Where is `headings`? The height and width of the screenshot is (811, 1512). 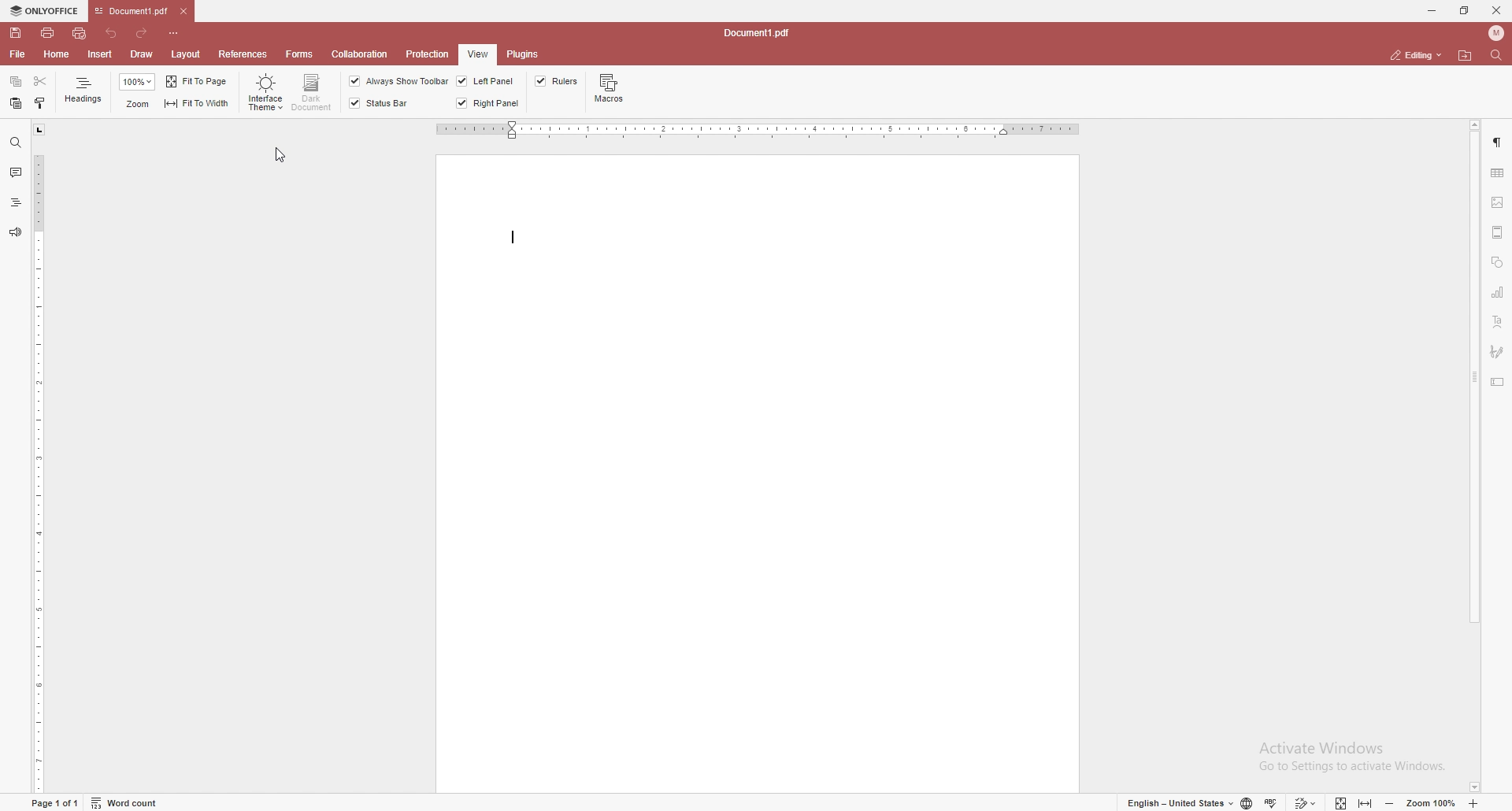
headings is located at coordinates (83, 92).